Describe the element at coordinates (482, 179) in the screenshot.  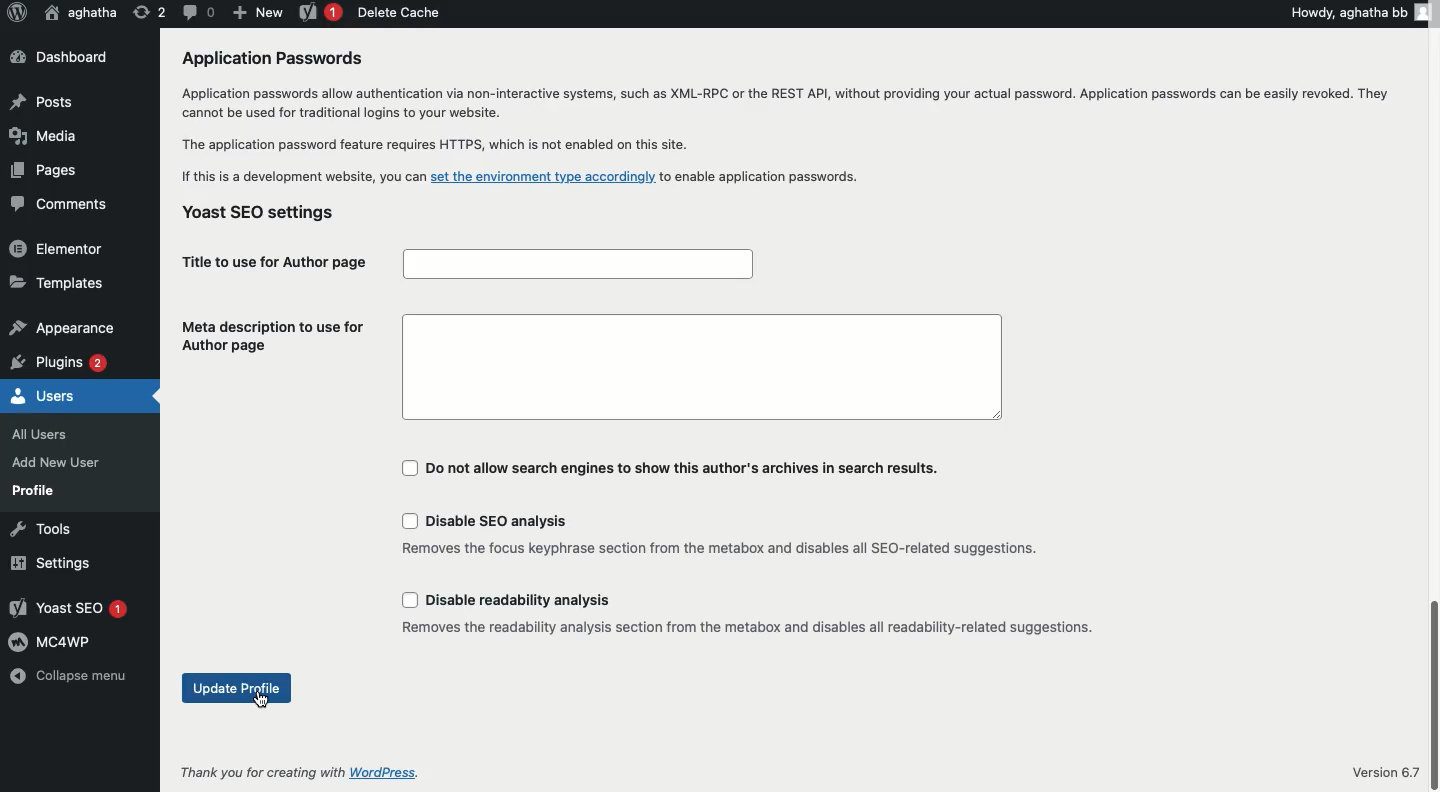
I see `If this is a development website, you can set the environment type accordingly. to enable application password.` at that location.